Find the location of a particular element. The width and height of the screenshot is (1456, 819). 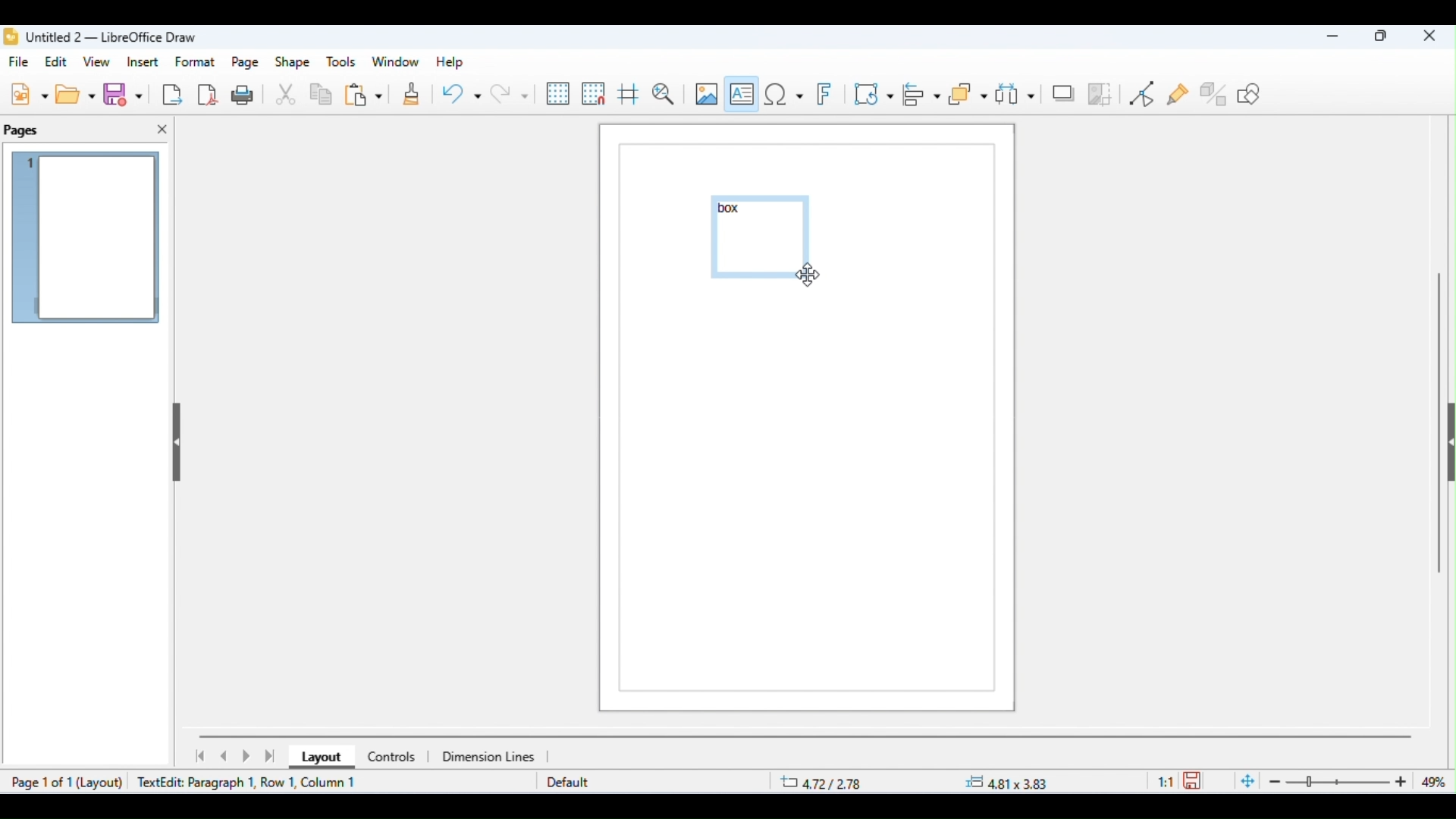

scaling factor is located at coordinates (1166, 780).